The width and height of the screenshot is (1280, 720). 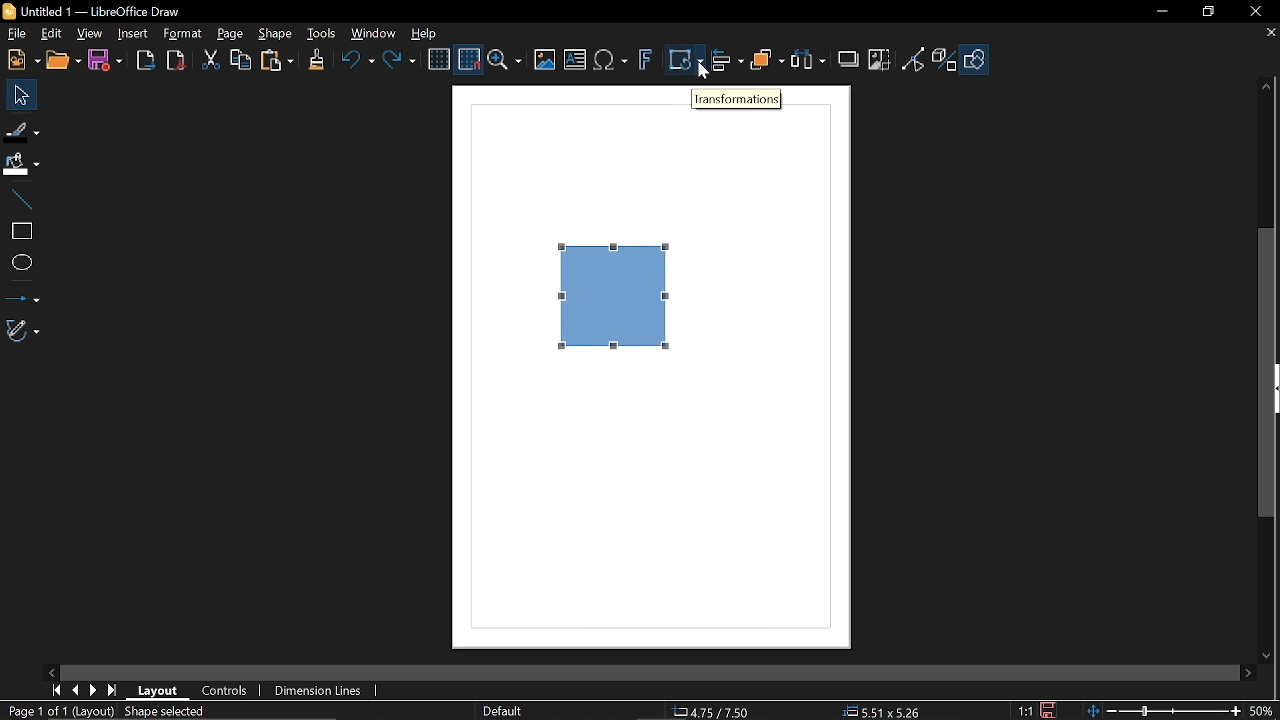 I want to click on insert fontwork, so click(x=643, y=60).